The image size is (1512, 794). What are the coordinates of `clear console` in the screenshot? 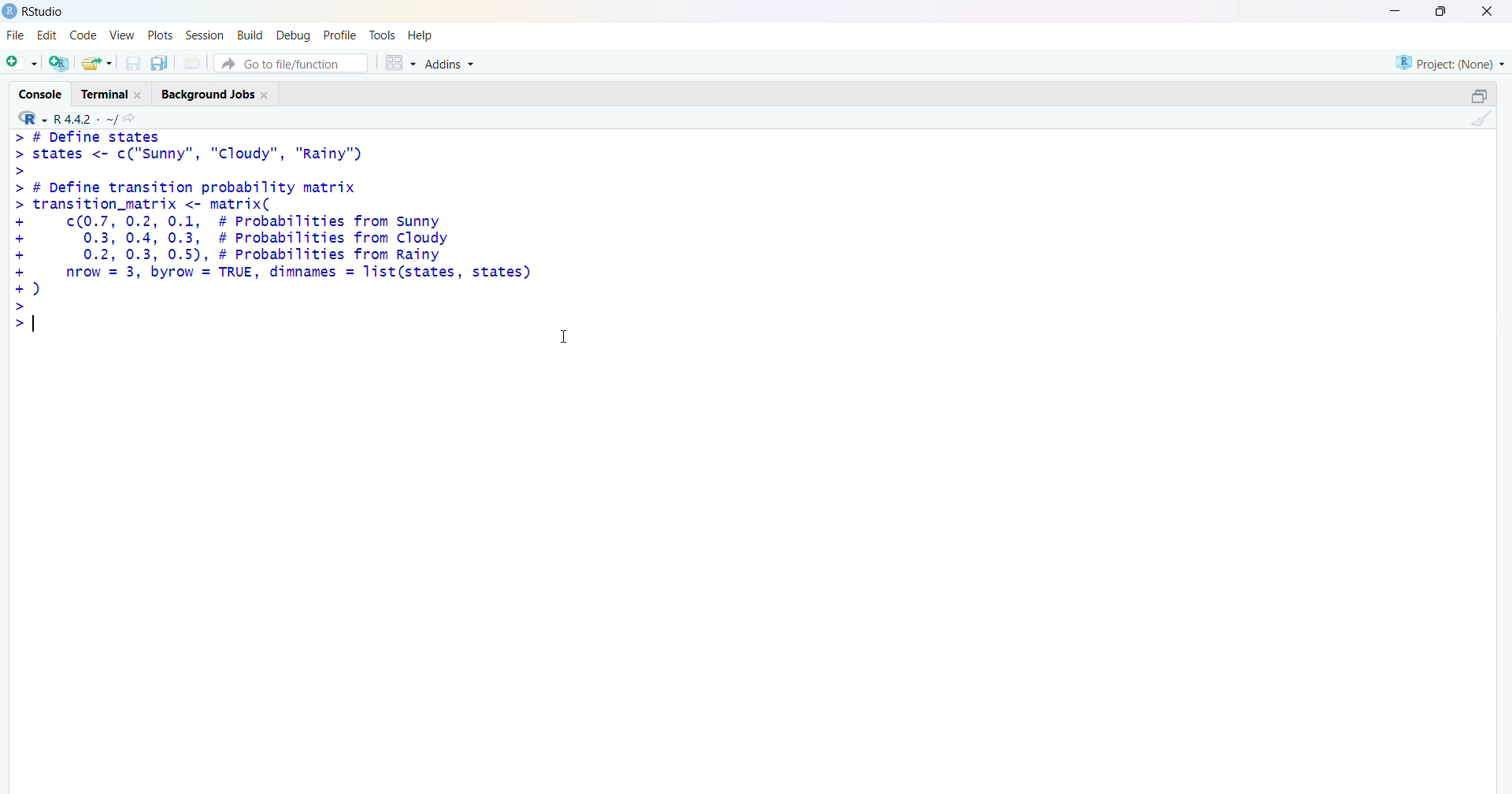 It's located at (1482, 119).